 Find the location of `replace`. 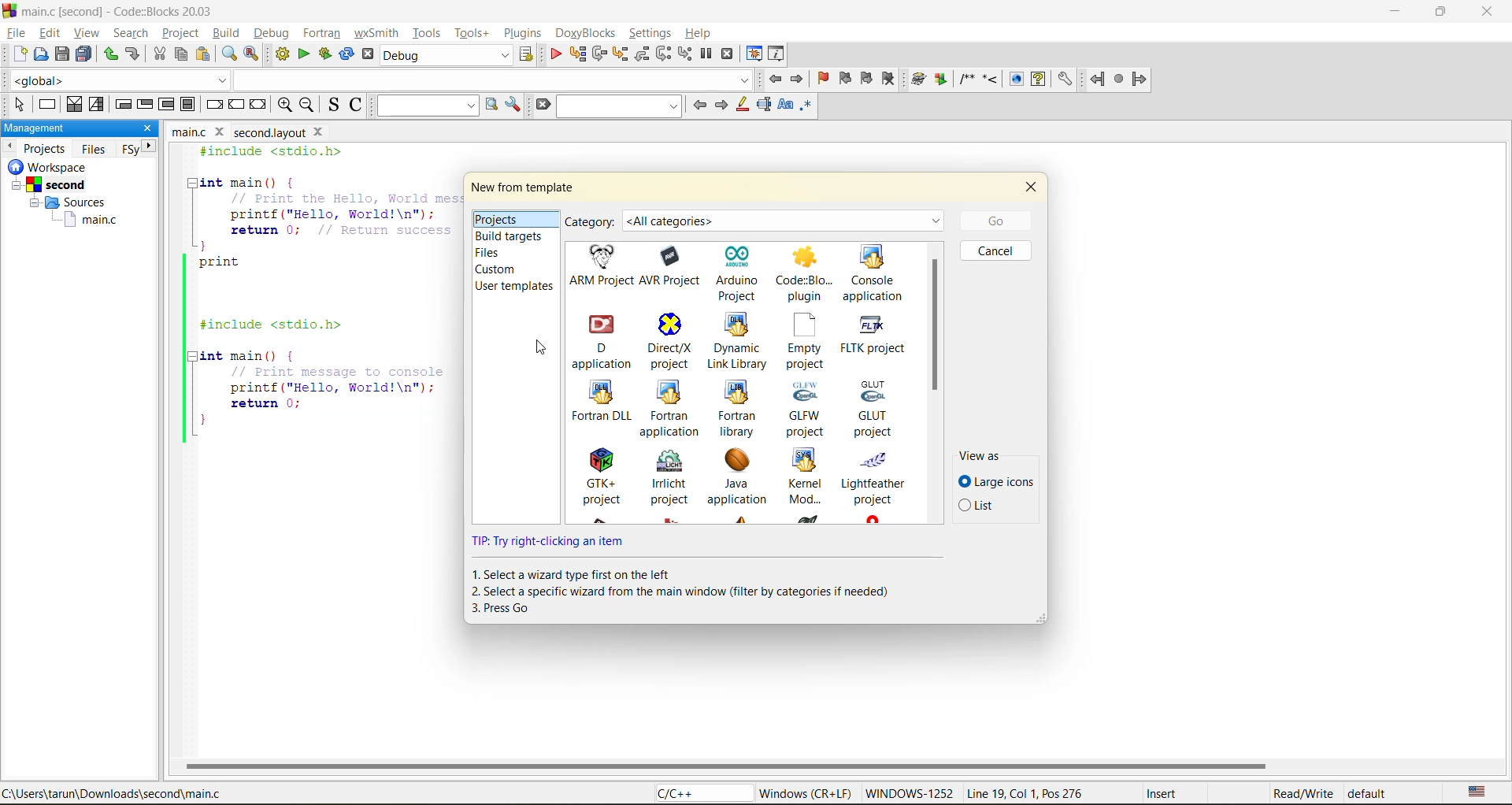

replace is located at coordinates (251, 54).